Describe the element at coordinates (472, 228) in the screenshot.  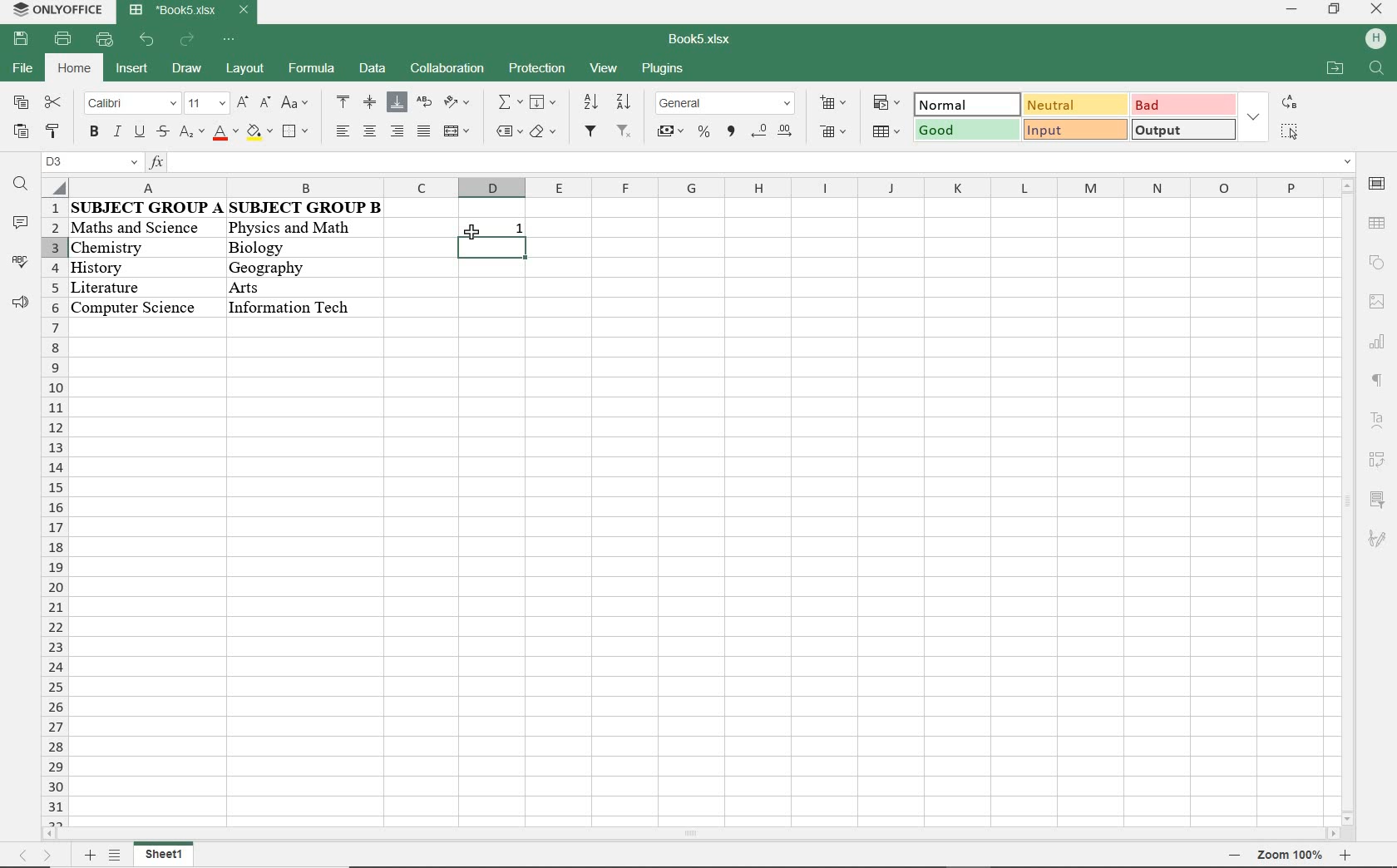
I see `cursor on formular 1` at that location.